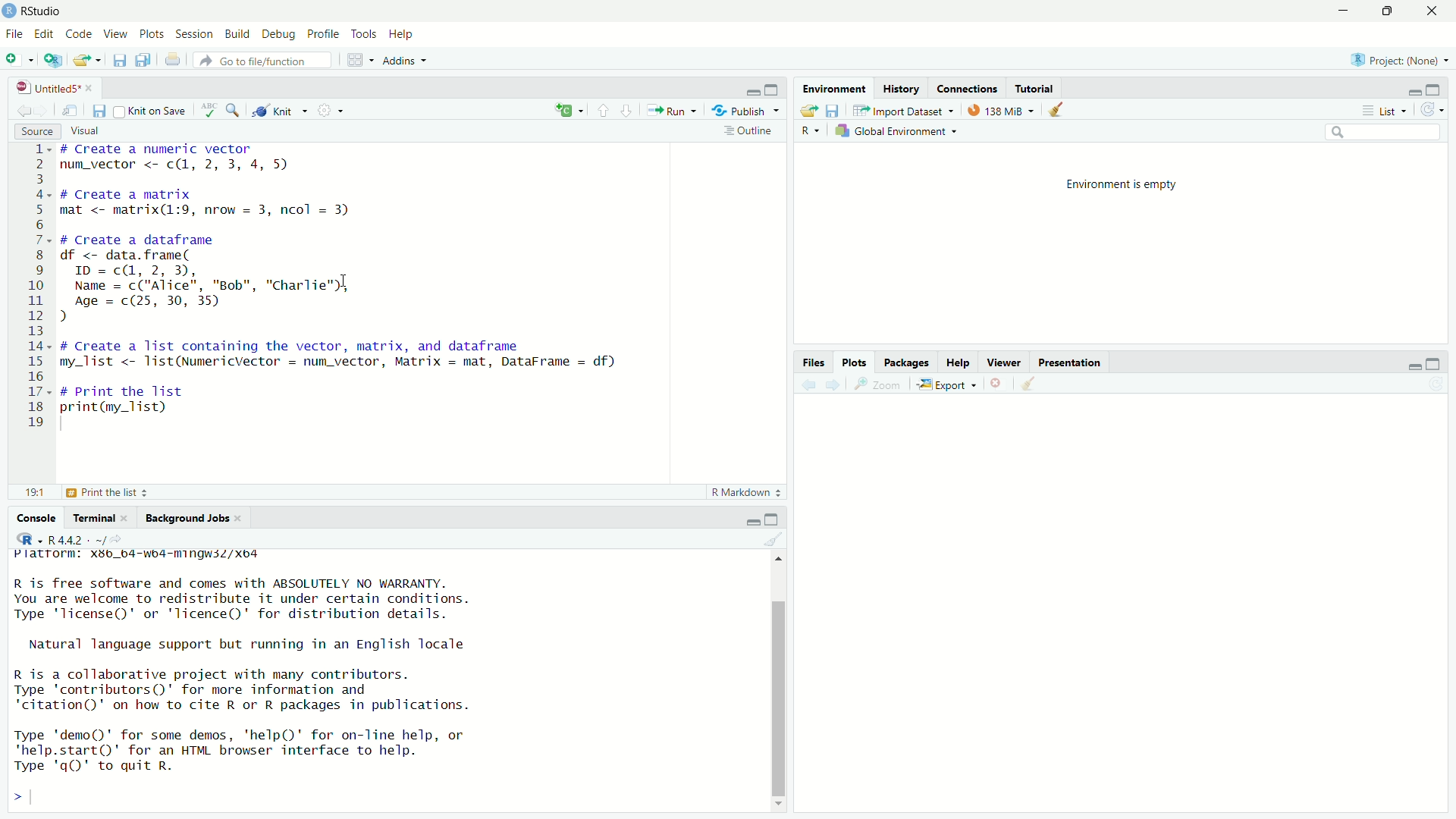  What do you see at coordinates (751, 519) in the screenshot?
I see `minimise` at bounding box center [751, 519].